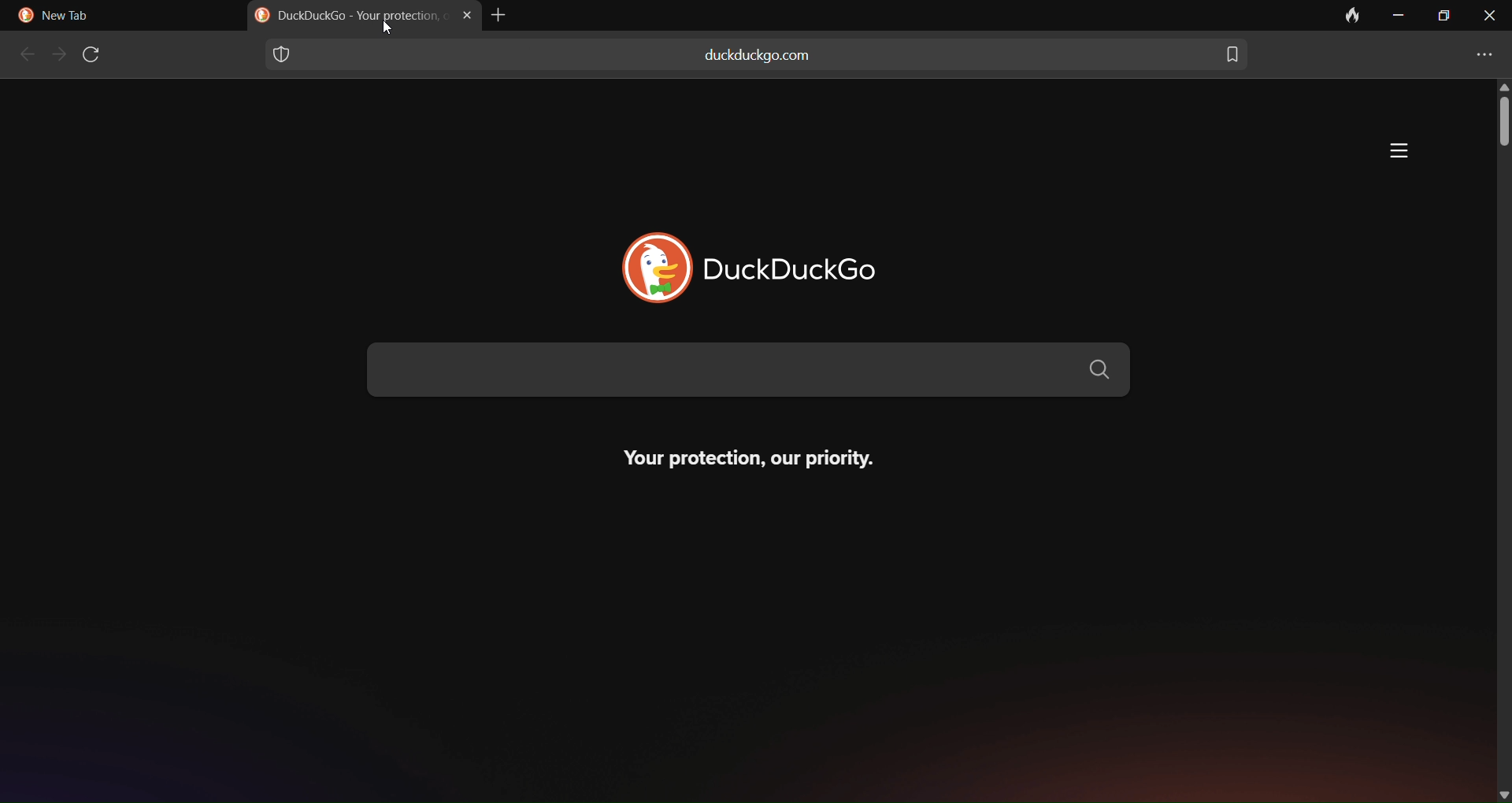  Describe the element at coordinates (760, 466) in the screenshot. I see `Your protection, our priority.` at that location.